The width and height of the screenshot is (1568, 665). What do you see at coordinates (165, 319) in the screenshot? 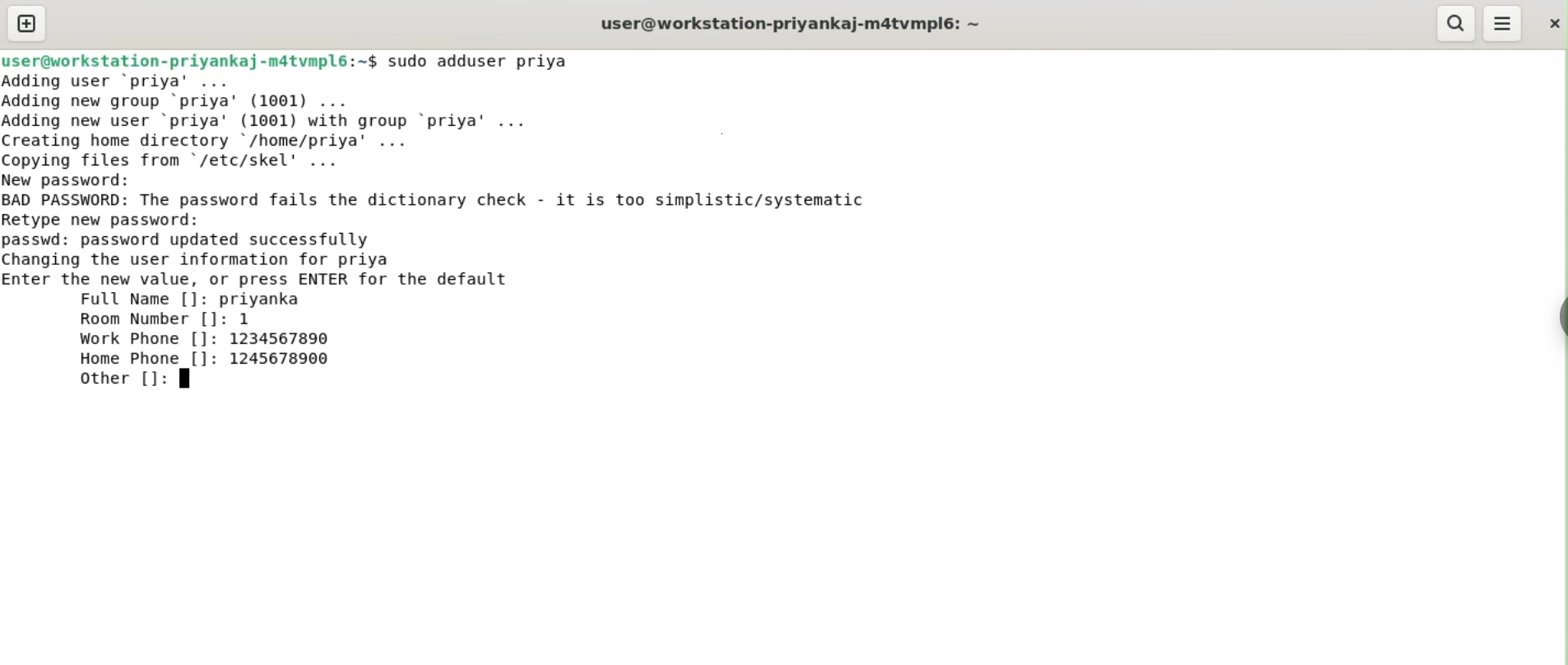
I see `Room Number []: 1` at bounding box center [165, 319].